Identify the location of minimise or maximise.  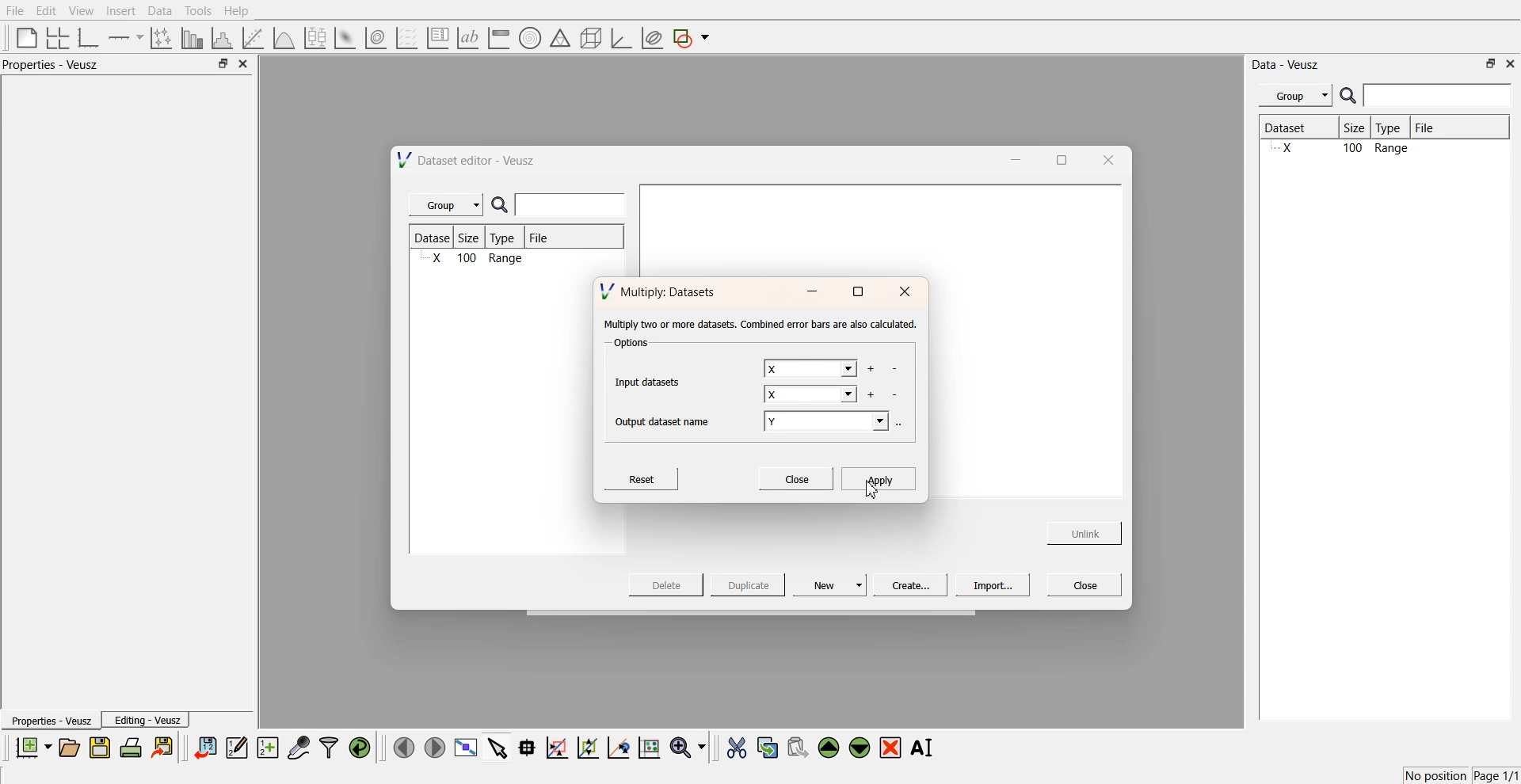
(1491, 63).